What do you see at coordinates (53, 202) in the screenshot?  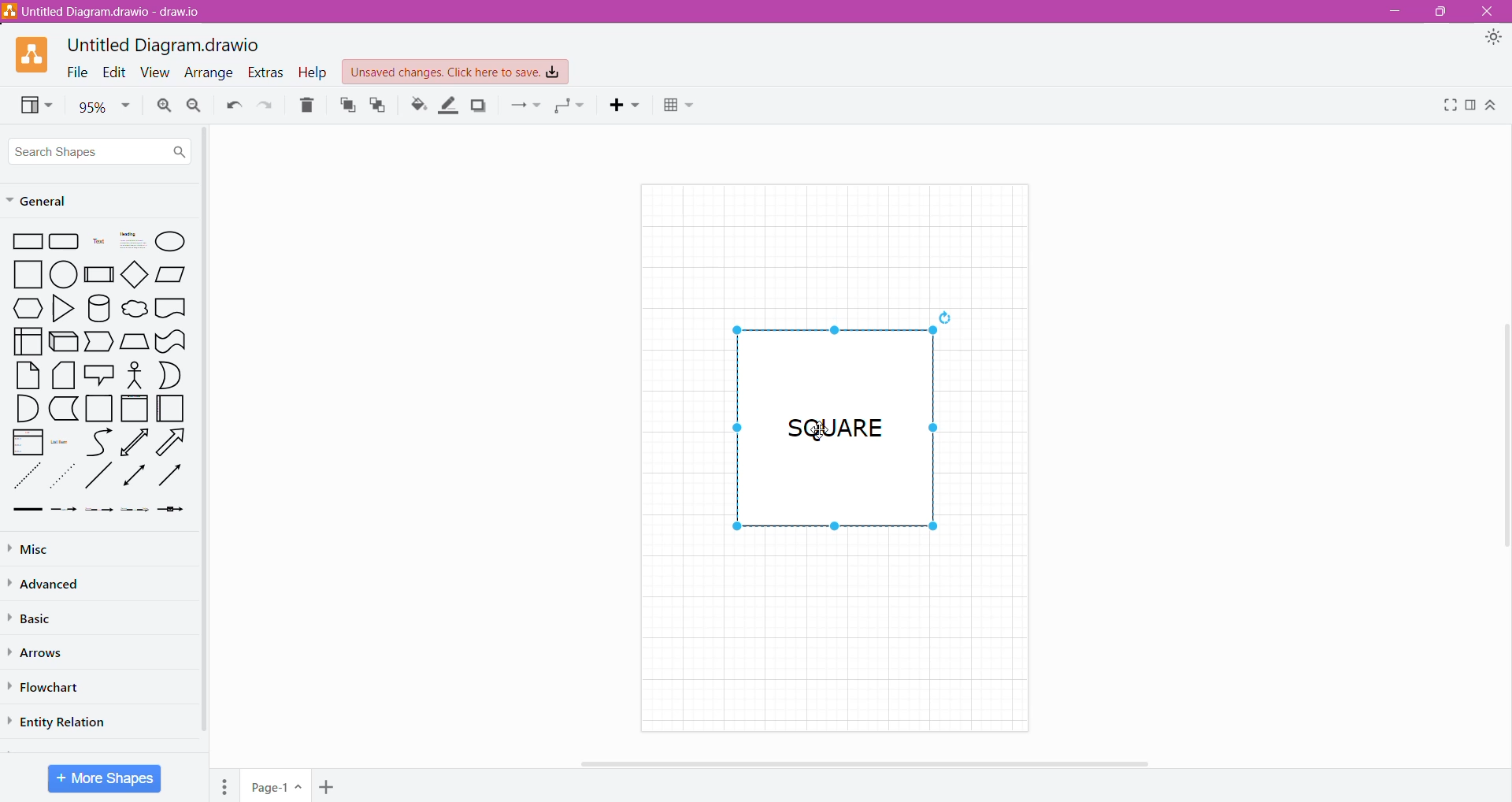 I see `General` at bounding box center [53, 202].